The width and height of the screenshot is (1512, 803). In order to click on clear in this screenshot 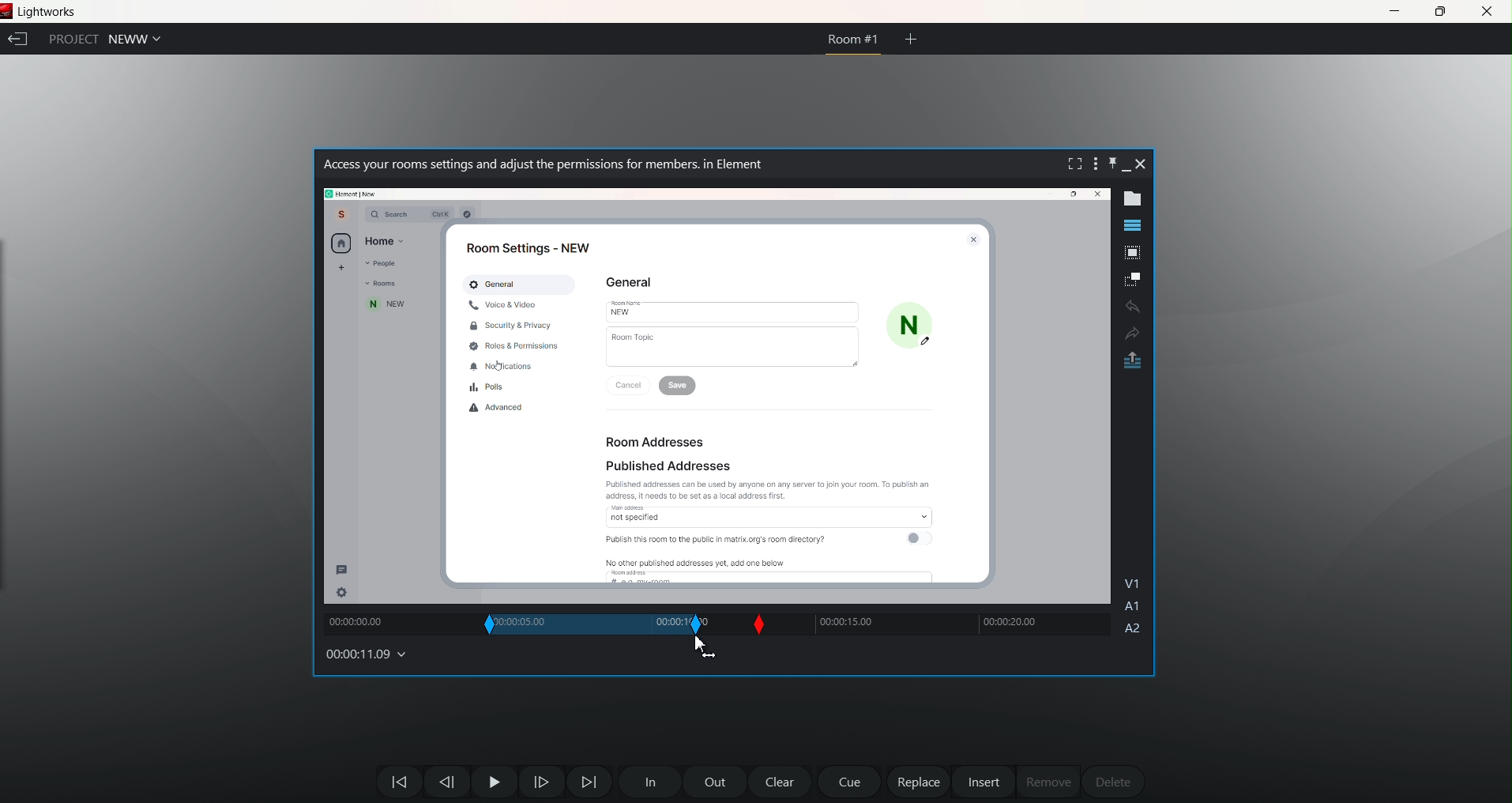, I will do `click(777, 779)`.